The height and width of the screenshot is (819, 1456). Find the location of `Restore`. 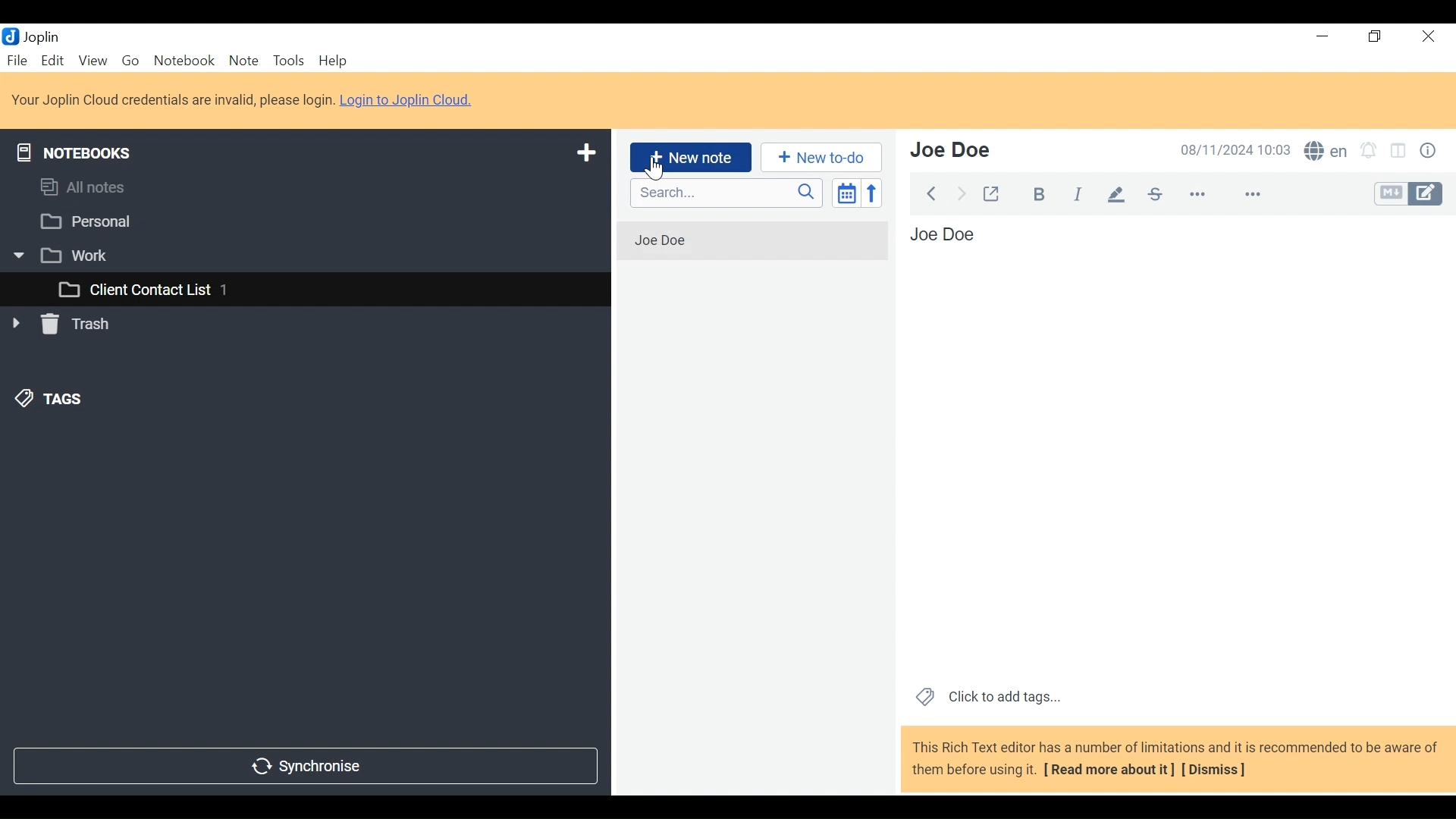

Restore is located at coordinates (1375, 36).